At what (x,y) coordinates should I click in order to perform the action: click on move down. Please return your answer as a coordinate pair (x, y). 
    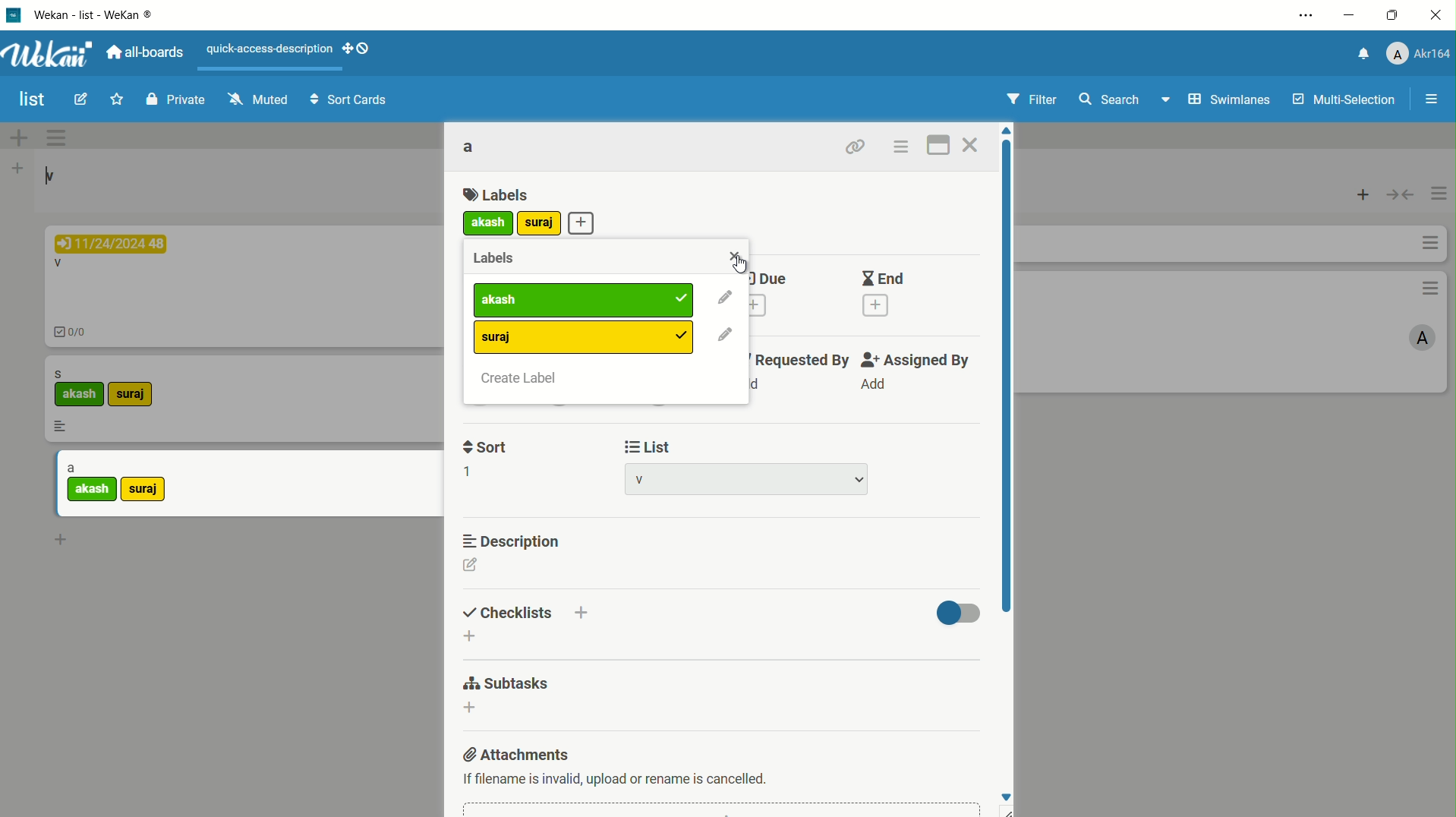
    Looking at the image, I should click on (1006, 794).